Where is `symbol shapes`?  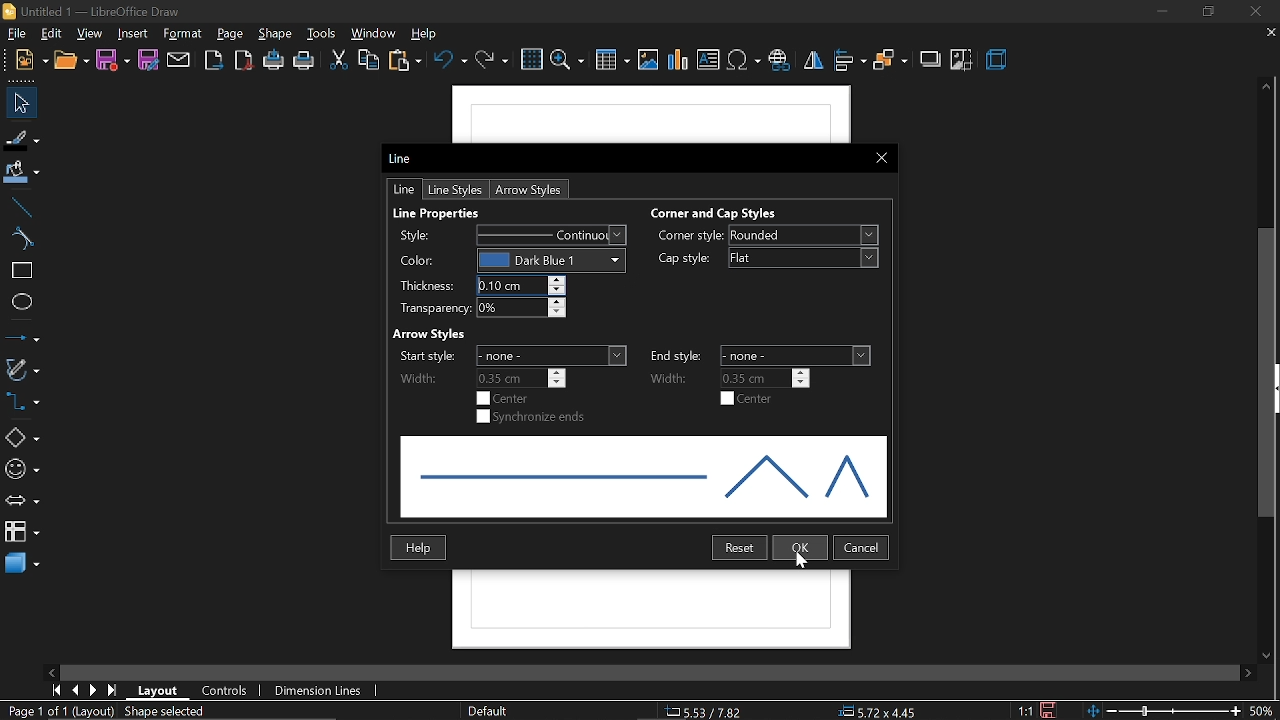
symbol shapes is located at coordinates (21, 470).